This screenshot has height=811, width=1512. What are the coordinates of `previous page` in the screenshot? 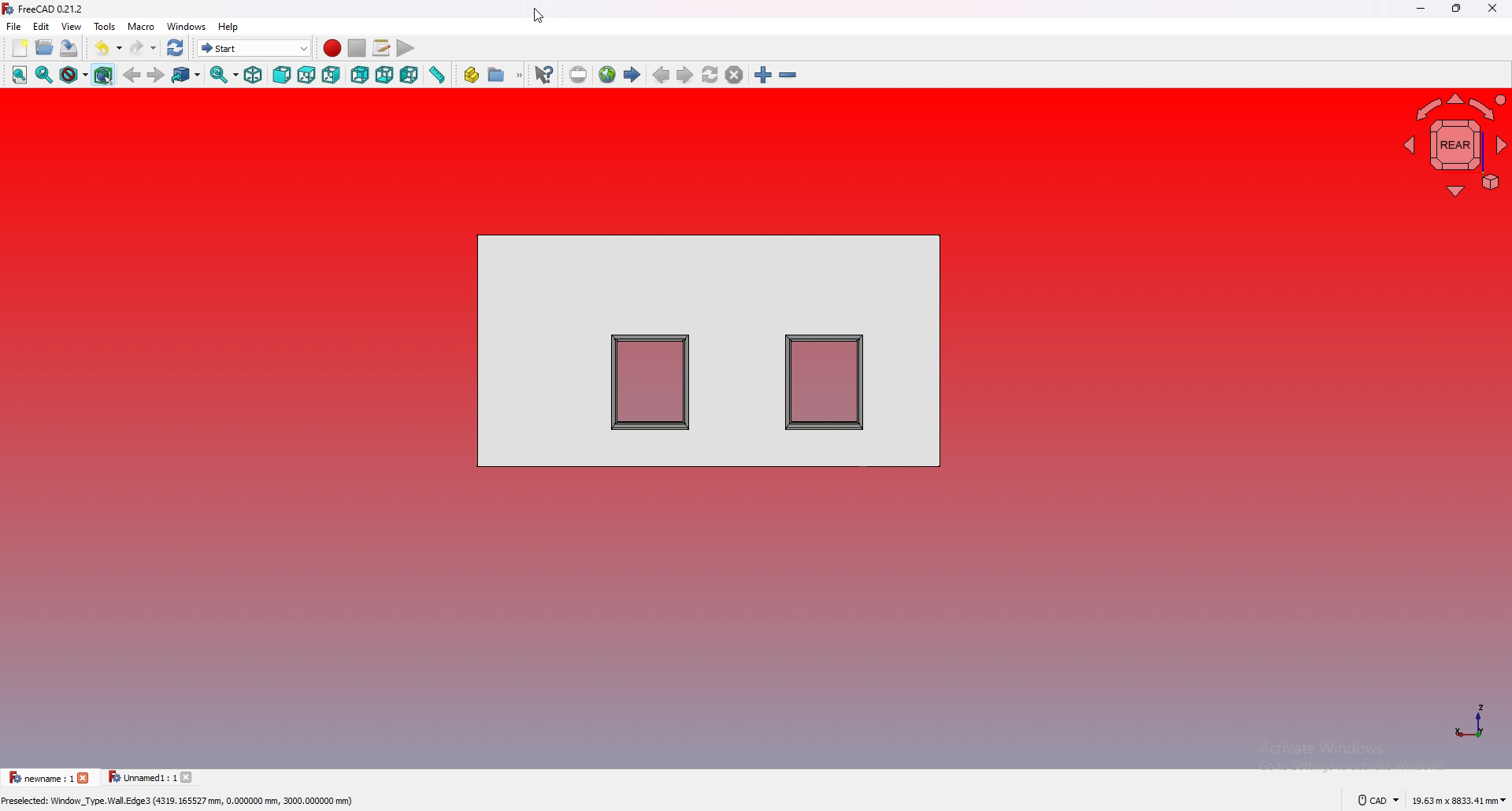 It's located at (661, 75).